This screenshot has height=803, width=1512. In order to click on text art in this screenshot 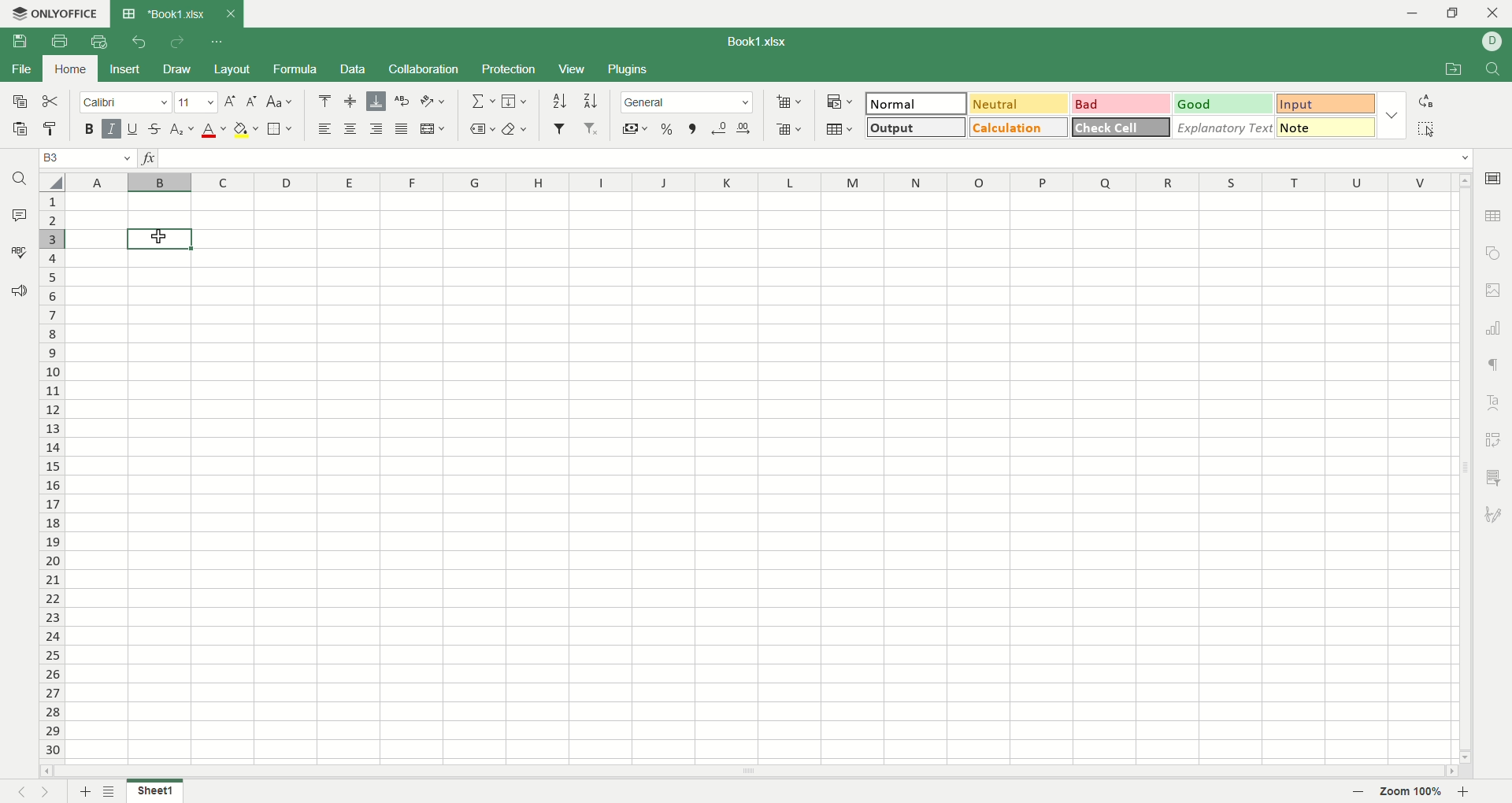, I will do `click(1496, 403)`.